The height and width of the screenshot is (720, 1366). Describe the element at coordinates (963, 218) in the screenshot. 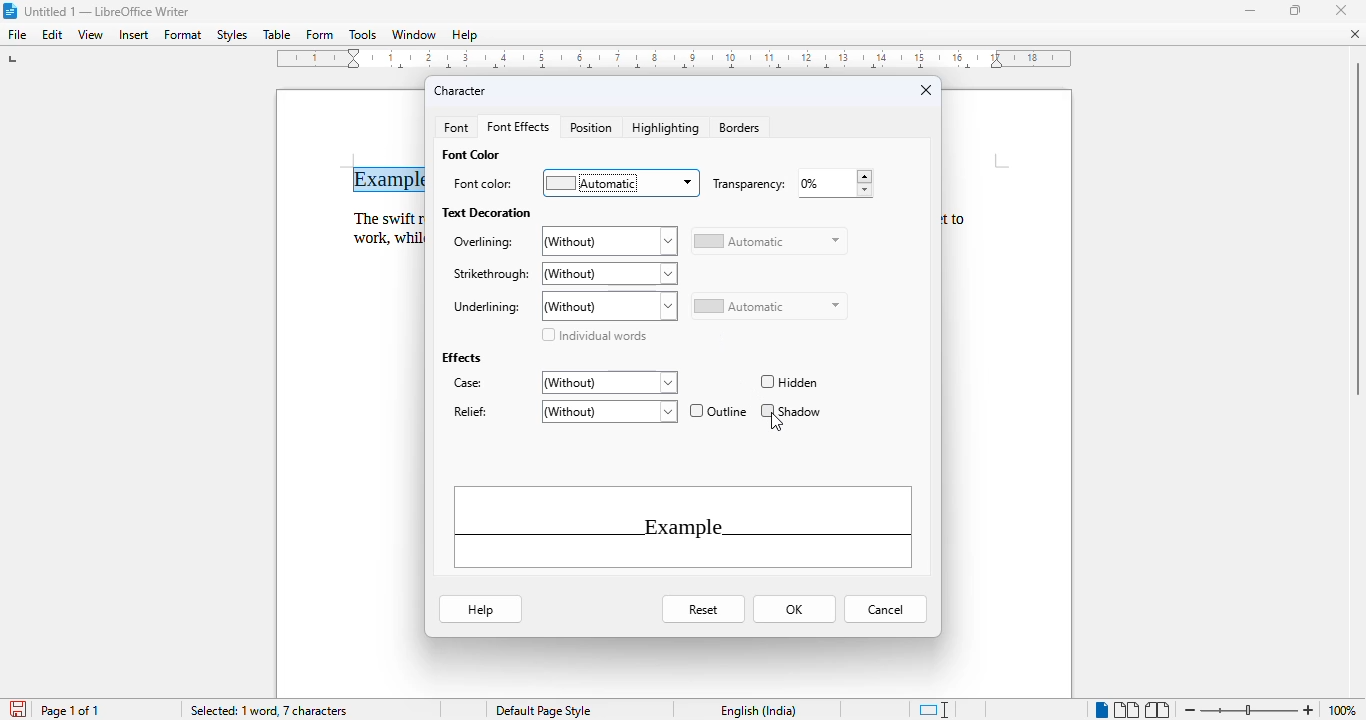

I see `to` at that location.